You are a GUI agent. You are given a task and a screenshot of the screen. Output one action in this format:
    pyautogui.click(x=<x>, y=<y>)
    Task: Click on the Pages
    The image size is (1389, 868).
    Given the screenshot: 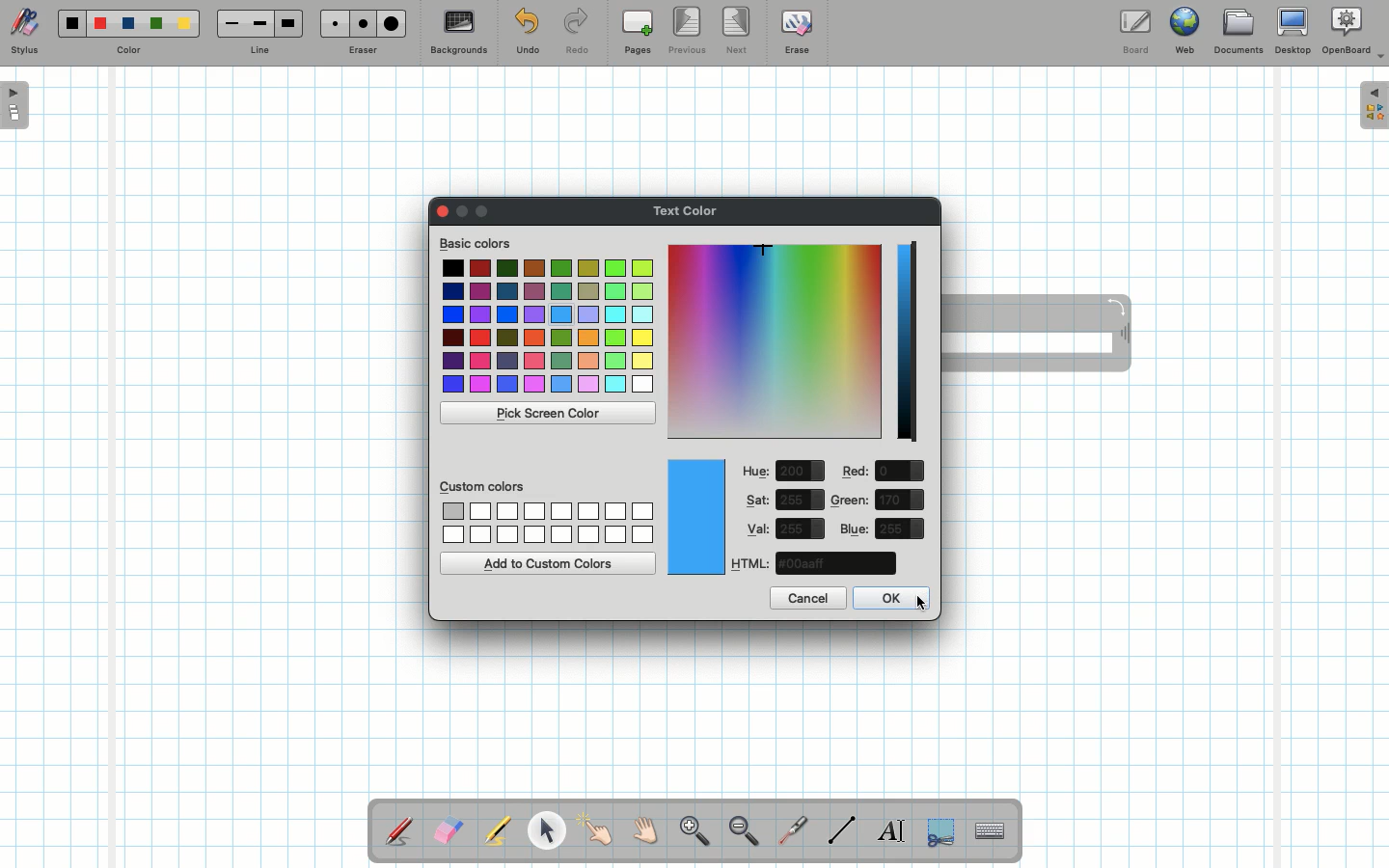 What is the action you would take?
    pyautogui.click(x=638, y=34)
    